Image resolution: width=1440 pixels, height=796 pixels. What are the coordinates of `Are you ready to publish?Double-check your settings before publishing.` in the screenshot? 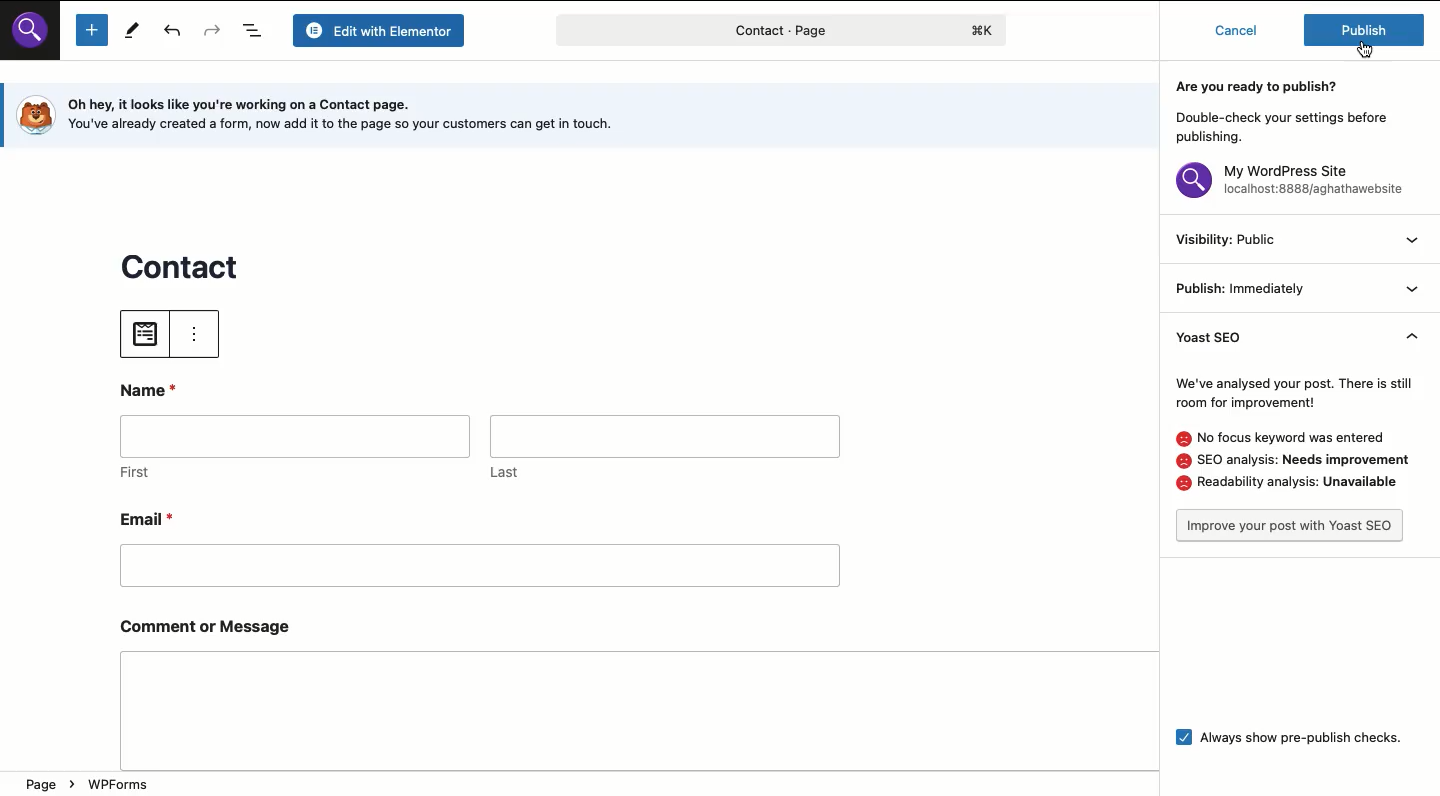 It's located at (1287, 111).